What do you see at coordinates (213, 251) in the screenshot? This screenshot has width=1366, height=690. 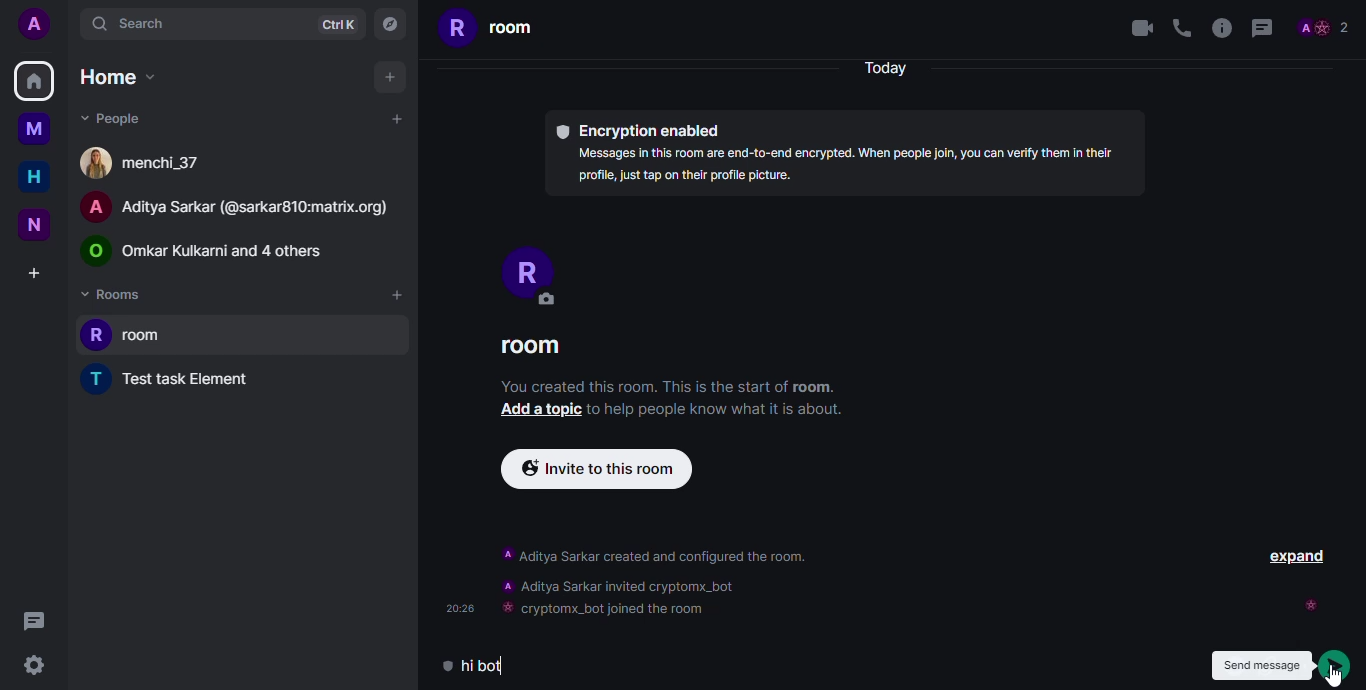 I see `people` at bounding box center [213, 251].